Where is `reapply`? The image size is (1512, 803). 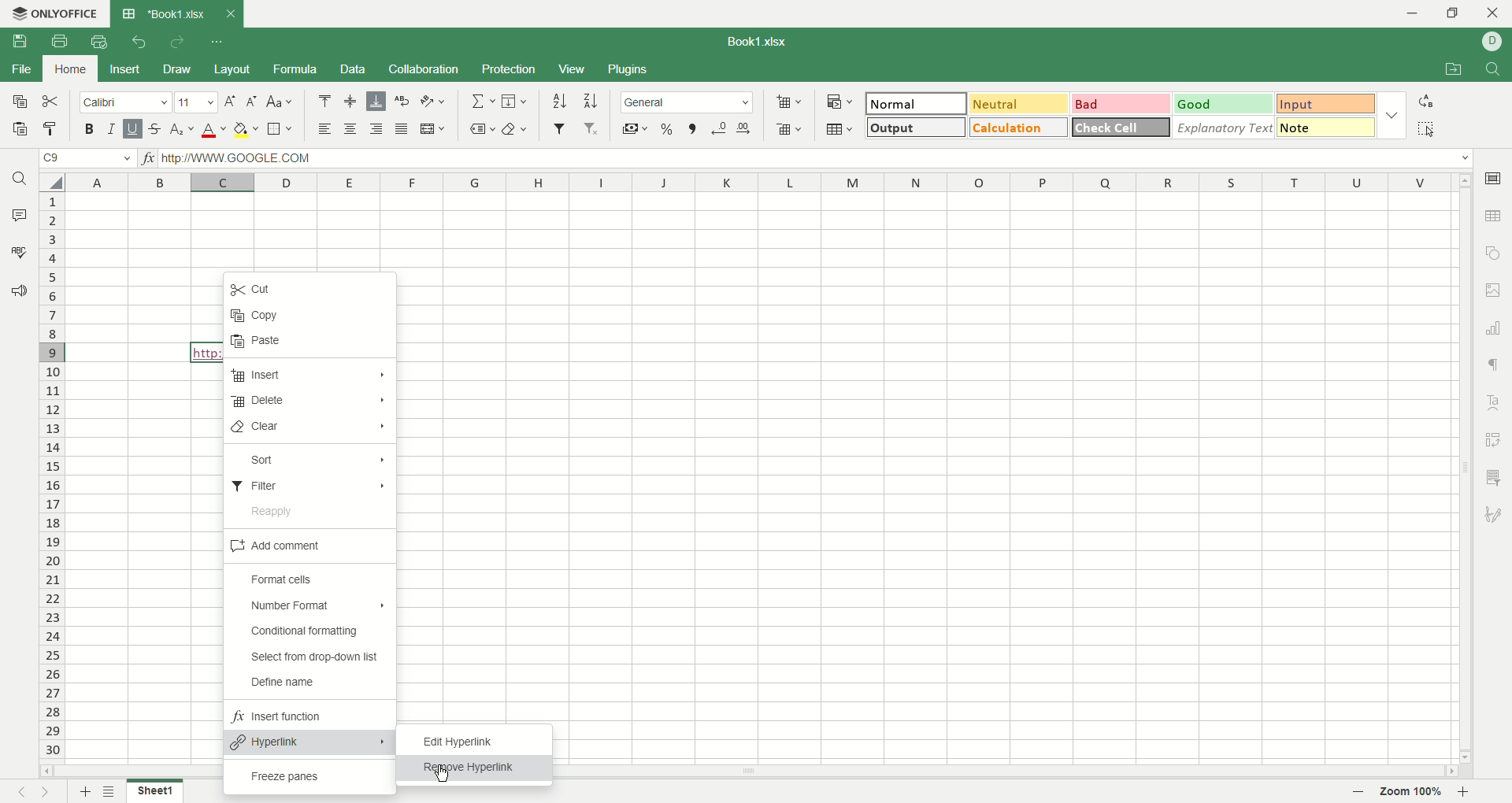 reapply is located at coordinates (280, 513).